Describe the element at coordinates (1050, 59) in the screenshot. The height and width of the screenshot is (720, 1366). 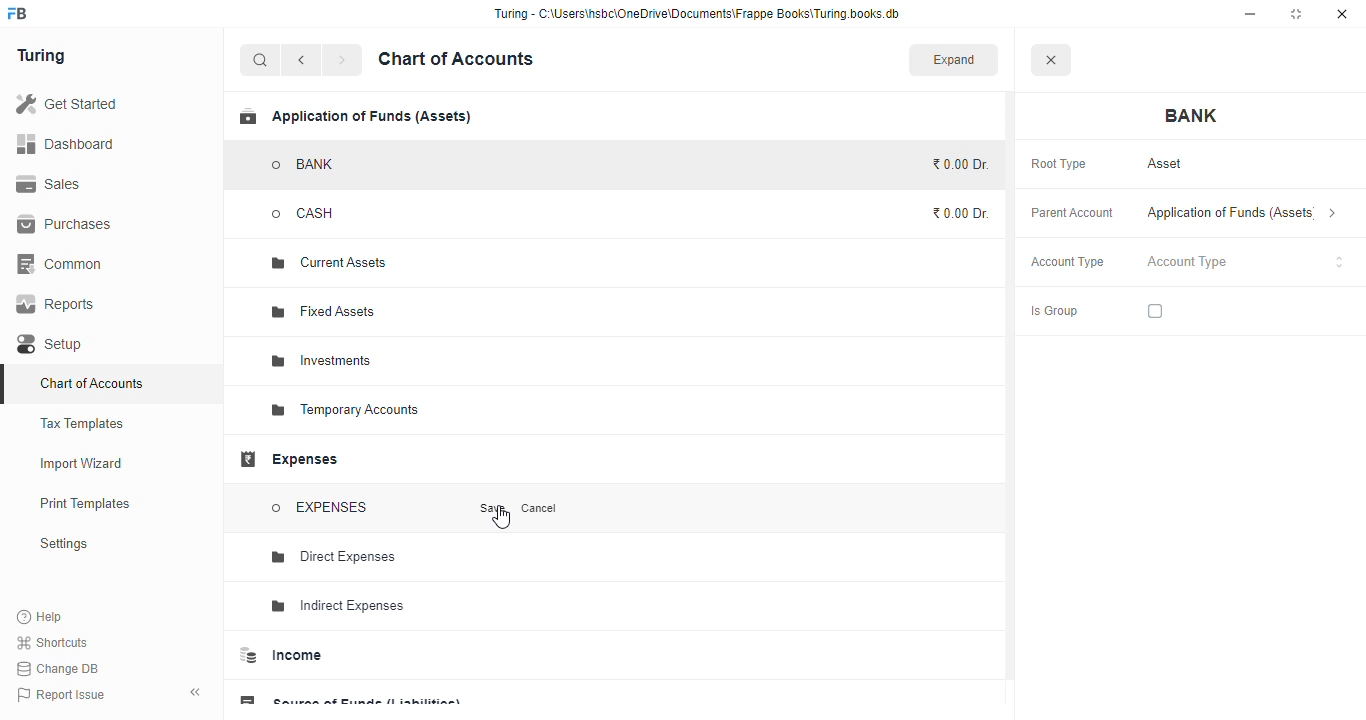
I see `close` at that location.